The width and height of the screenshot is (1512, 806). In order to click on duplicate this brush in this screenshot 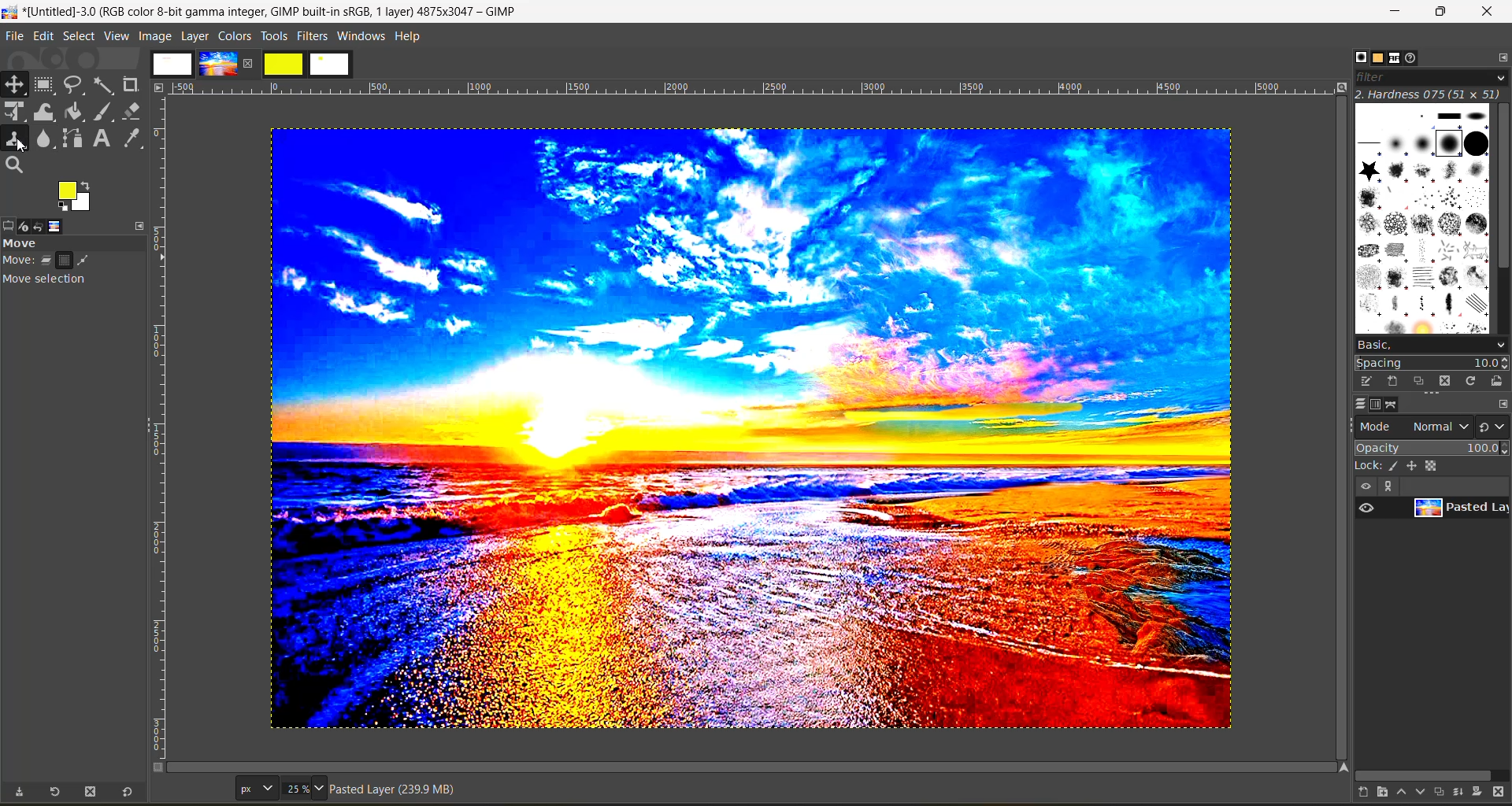, I will do `click(1420, 382)`.